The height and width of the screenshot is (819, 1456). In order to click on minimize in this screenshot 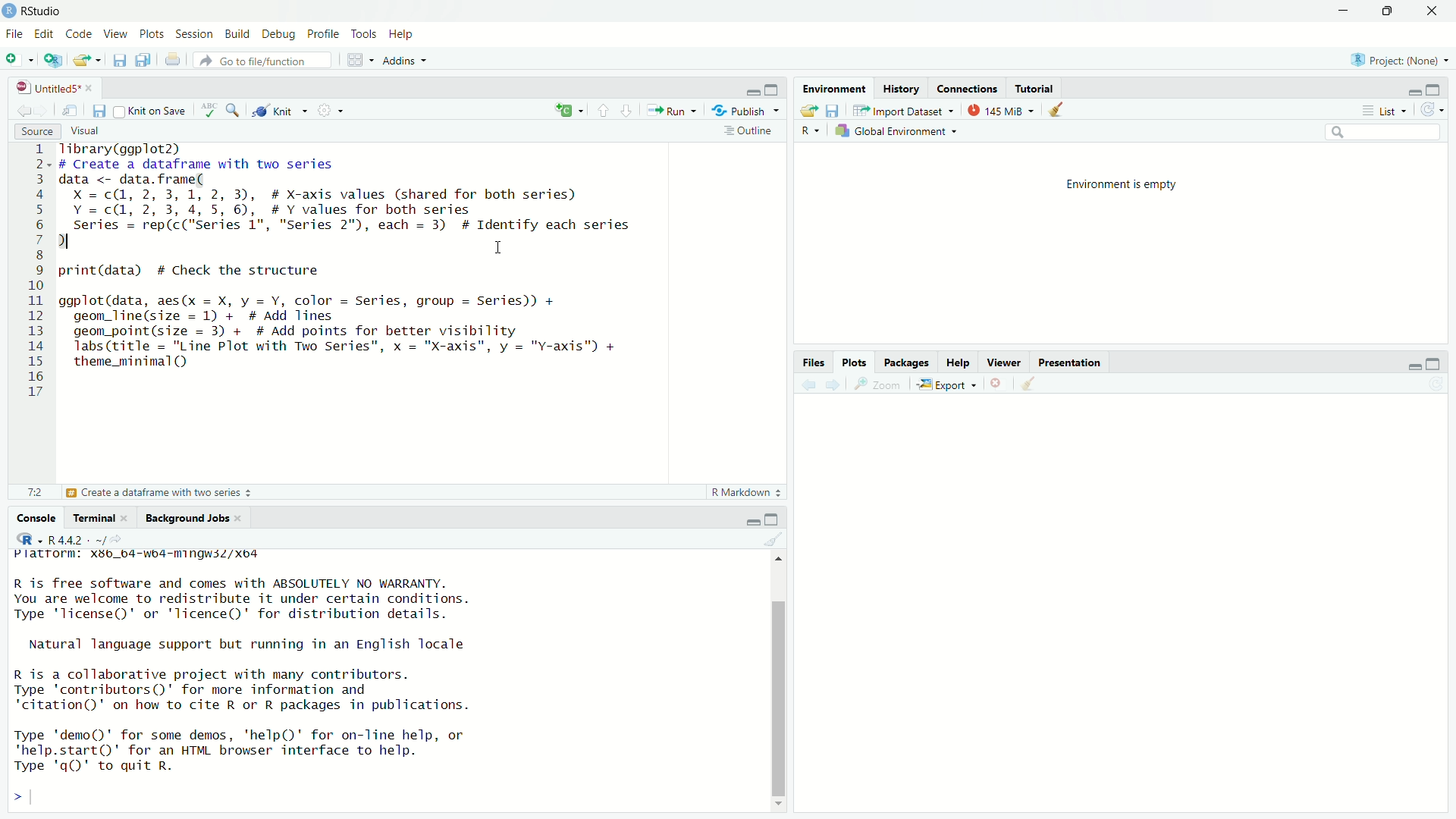, I will do `click(1414, 93)`.